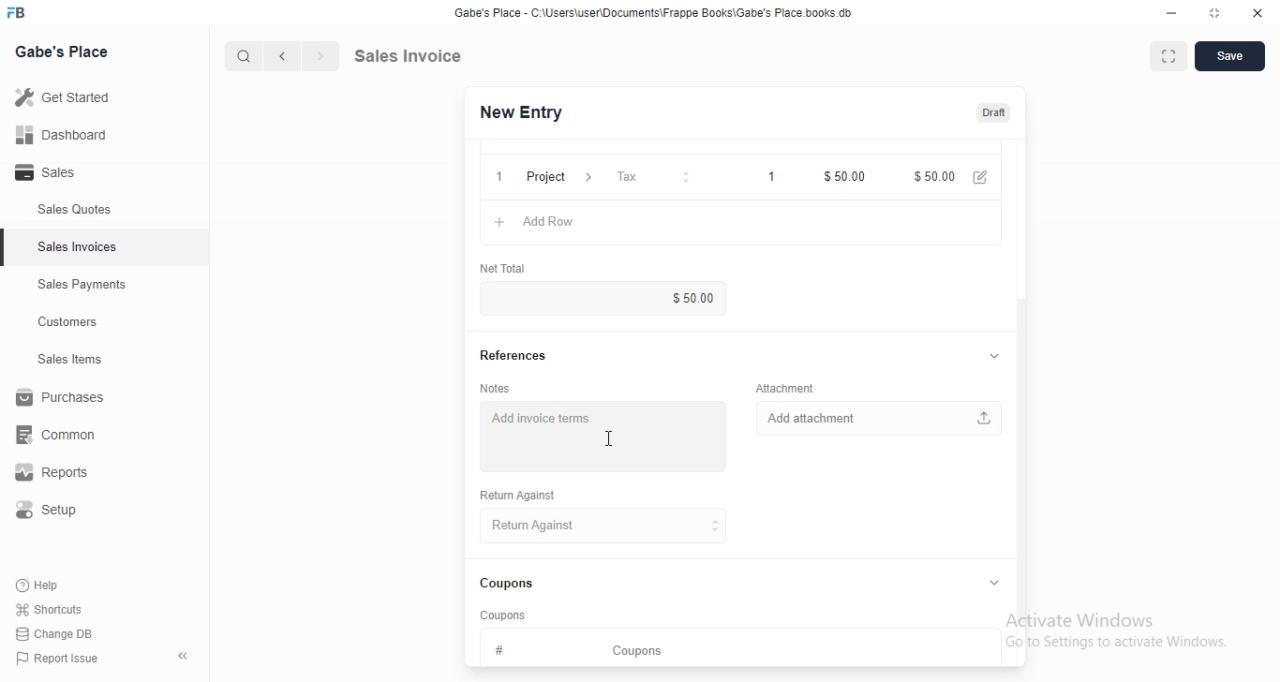 The width and height of the screenshot is (1280, 682). I want to click on Sales Payments, so click(77, 285).